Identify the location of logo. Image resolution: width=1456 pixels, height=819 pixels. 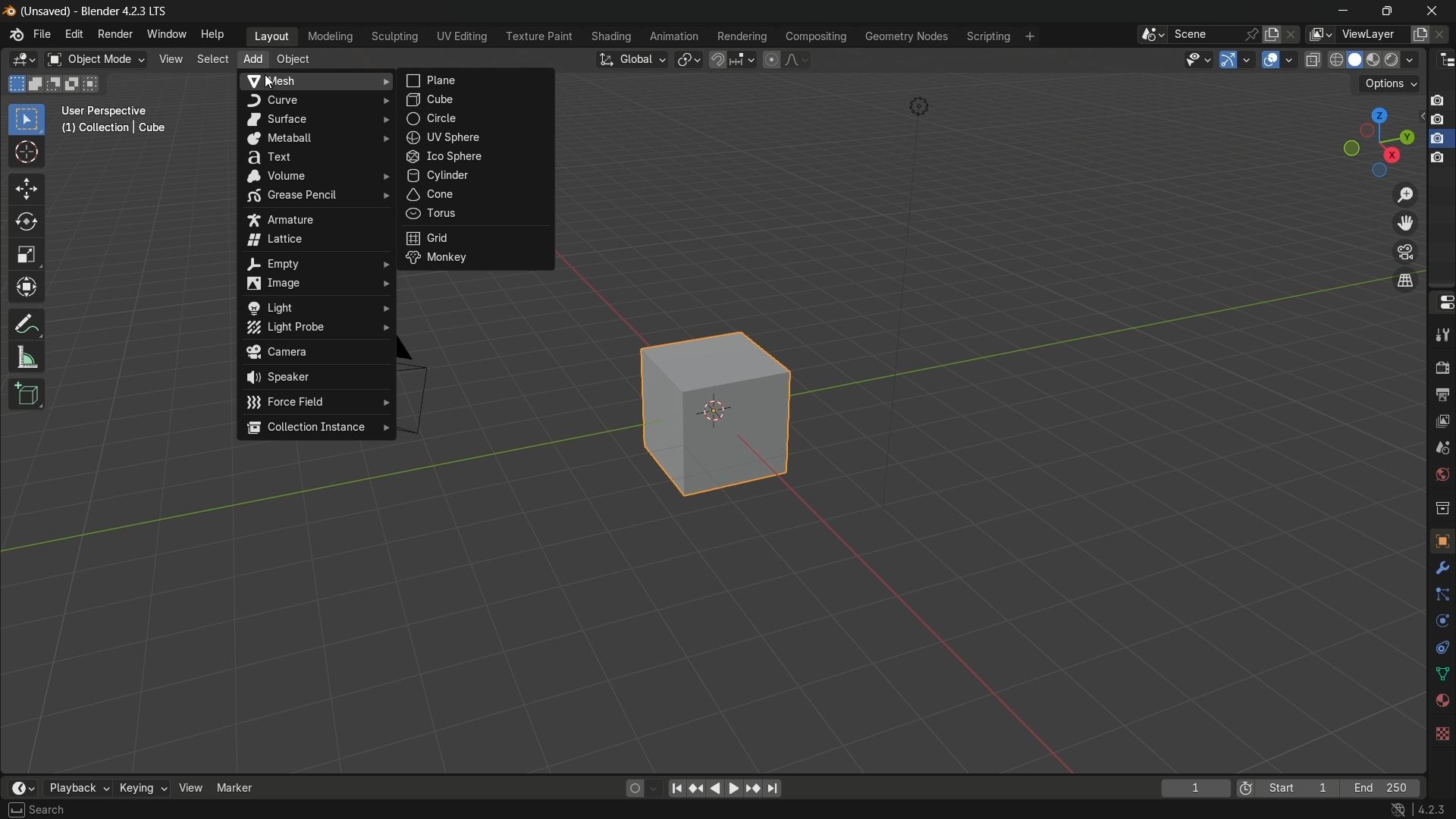
(17, 35).